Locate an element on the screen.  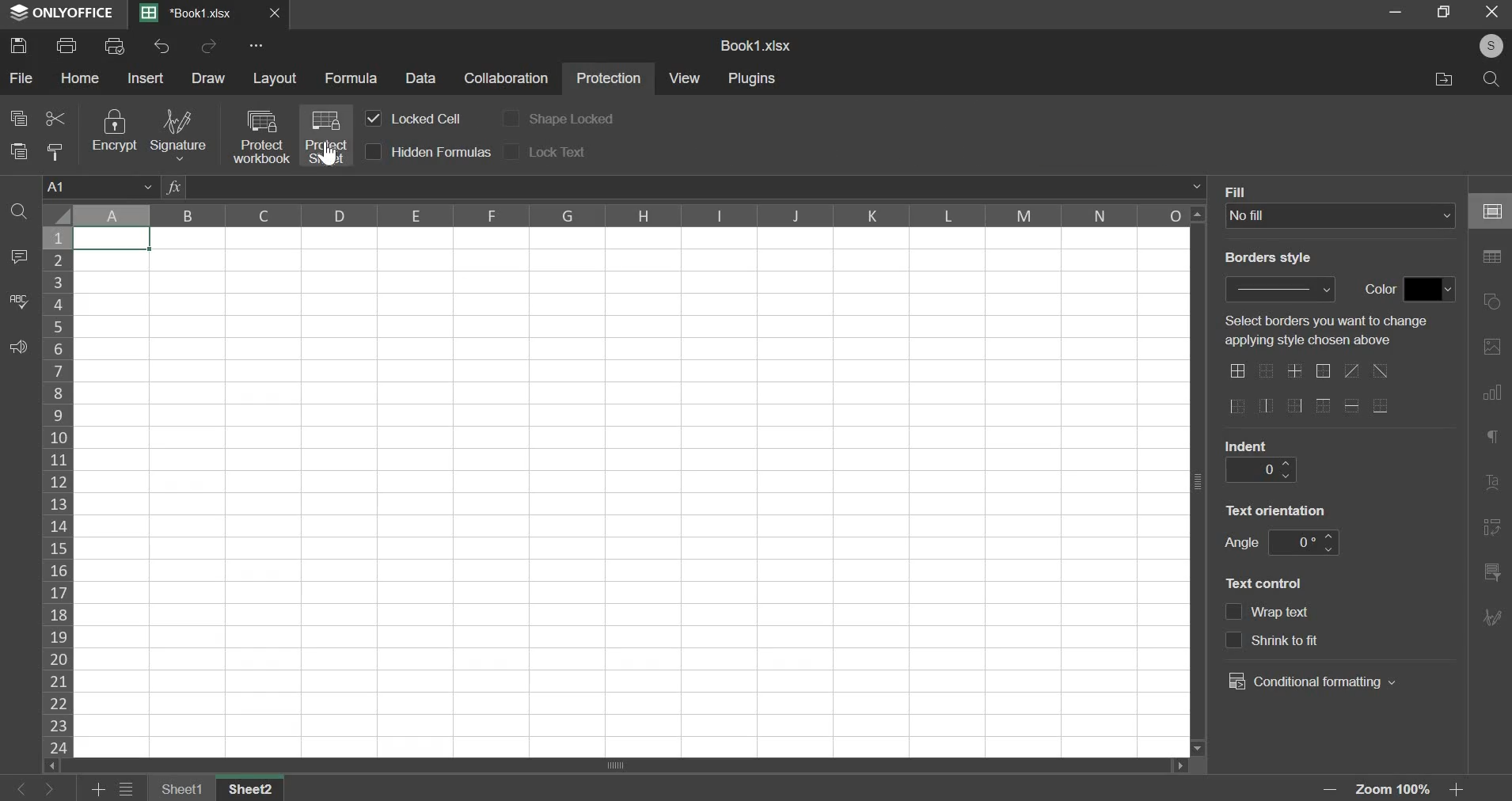
plugins is located at coordinates (754, 79).